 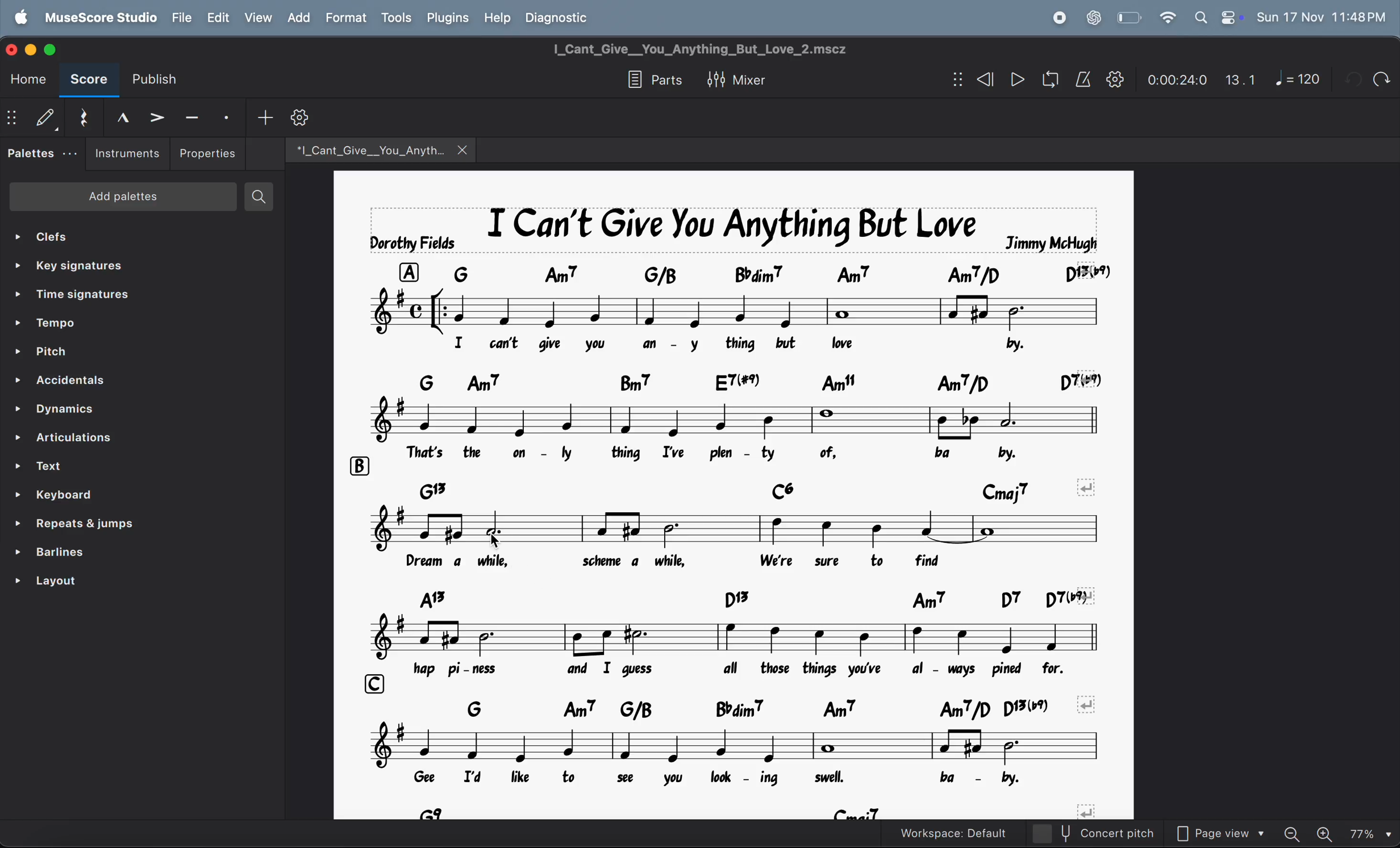 I want to click on add palettes, so click(x=121, y=197).